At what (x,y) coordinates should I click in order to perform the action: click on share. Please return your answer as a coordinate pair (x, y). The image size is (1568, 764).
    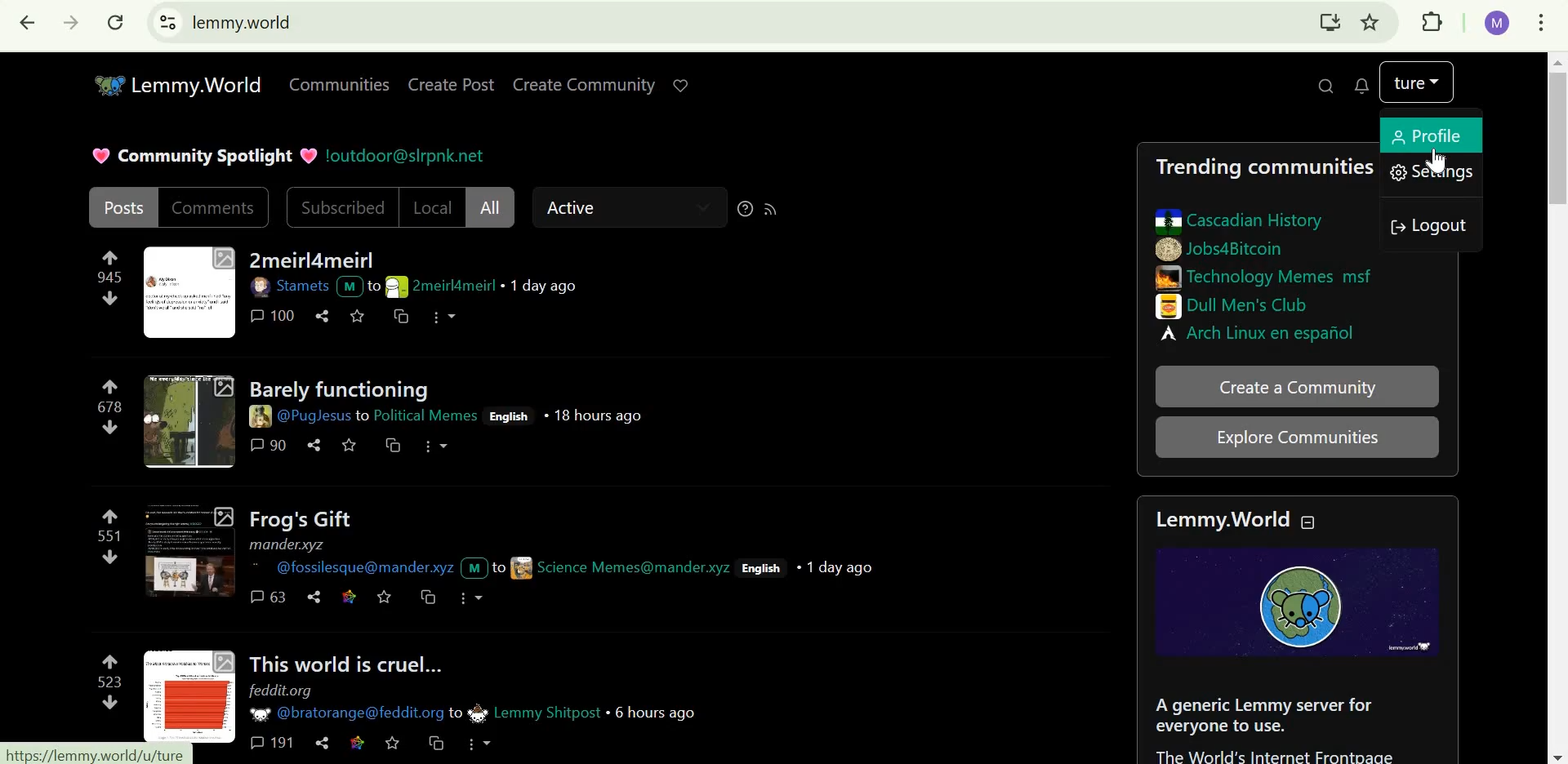
    Looking at the image, I should click on (313, 597).